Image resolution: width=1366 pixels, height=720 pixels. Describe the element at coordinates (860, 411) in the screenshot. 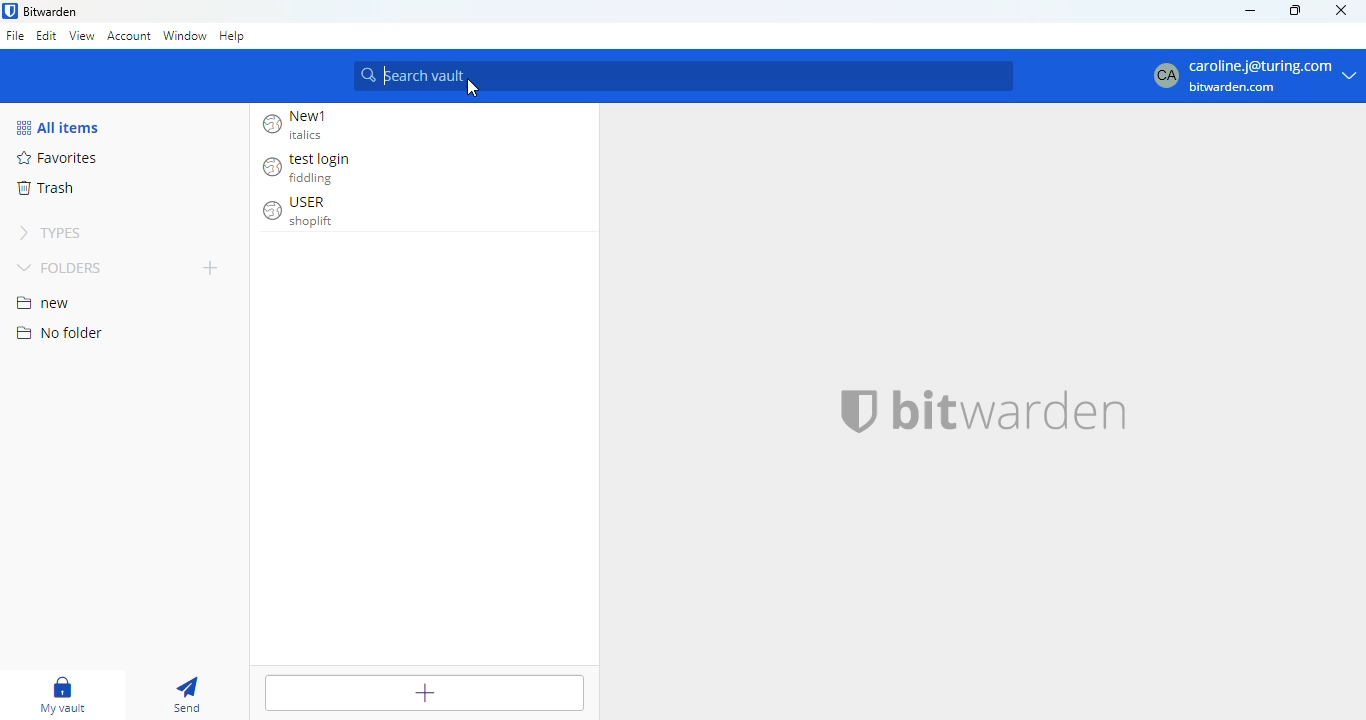

I see `logo` at that location.